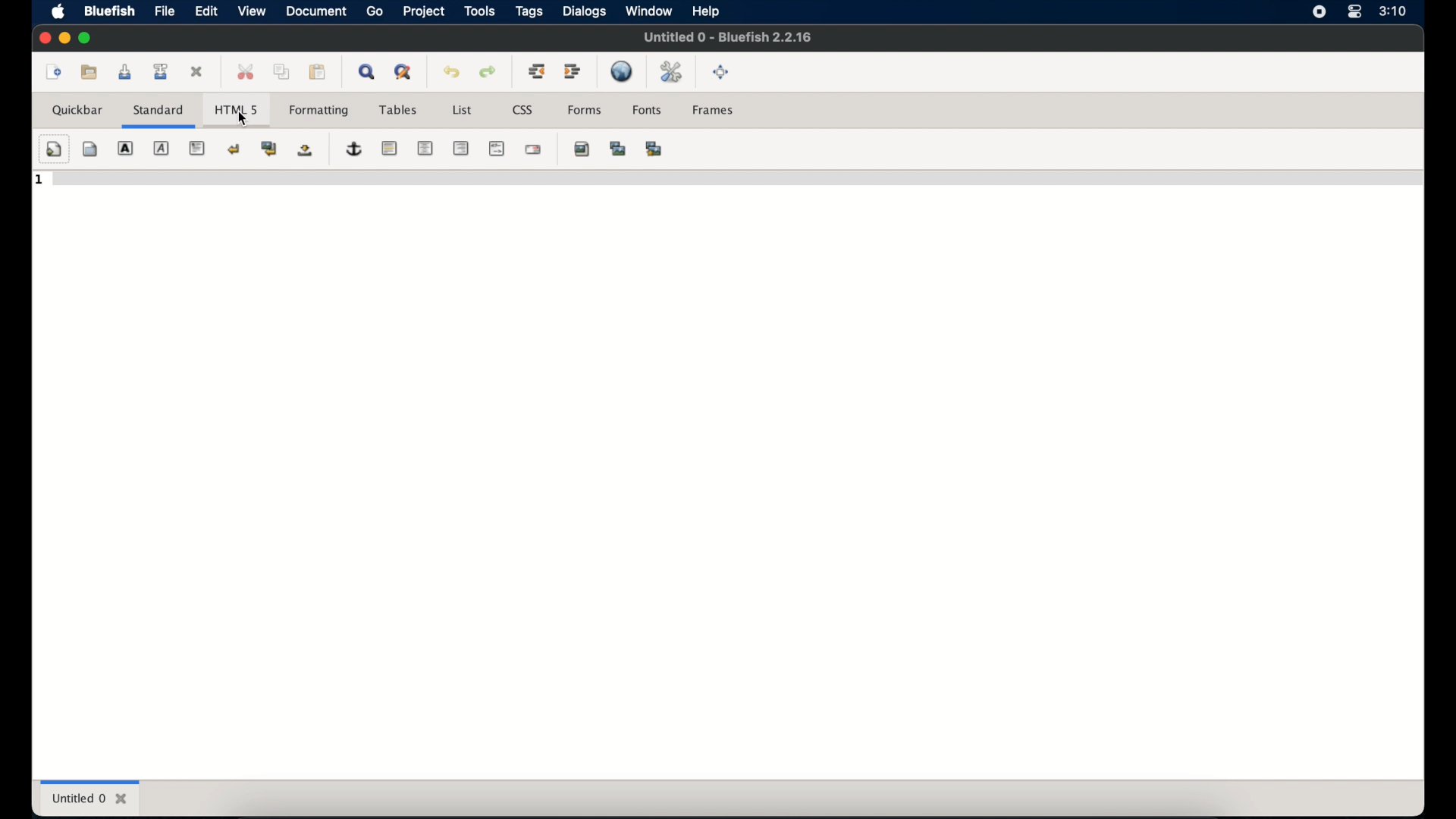 The height and width of the screenshot is (819, 1456). What do you see at coordinates (355, 149) in the screenshot?
I see `anchor hyperlink` at bounding box center [355, 149].